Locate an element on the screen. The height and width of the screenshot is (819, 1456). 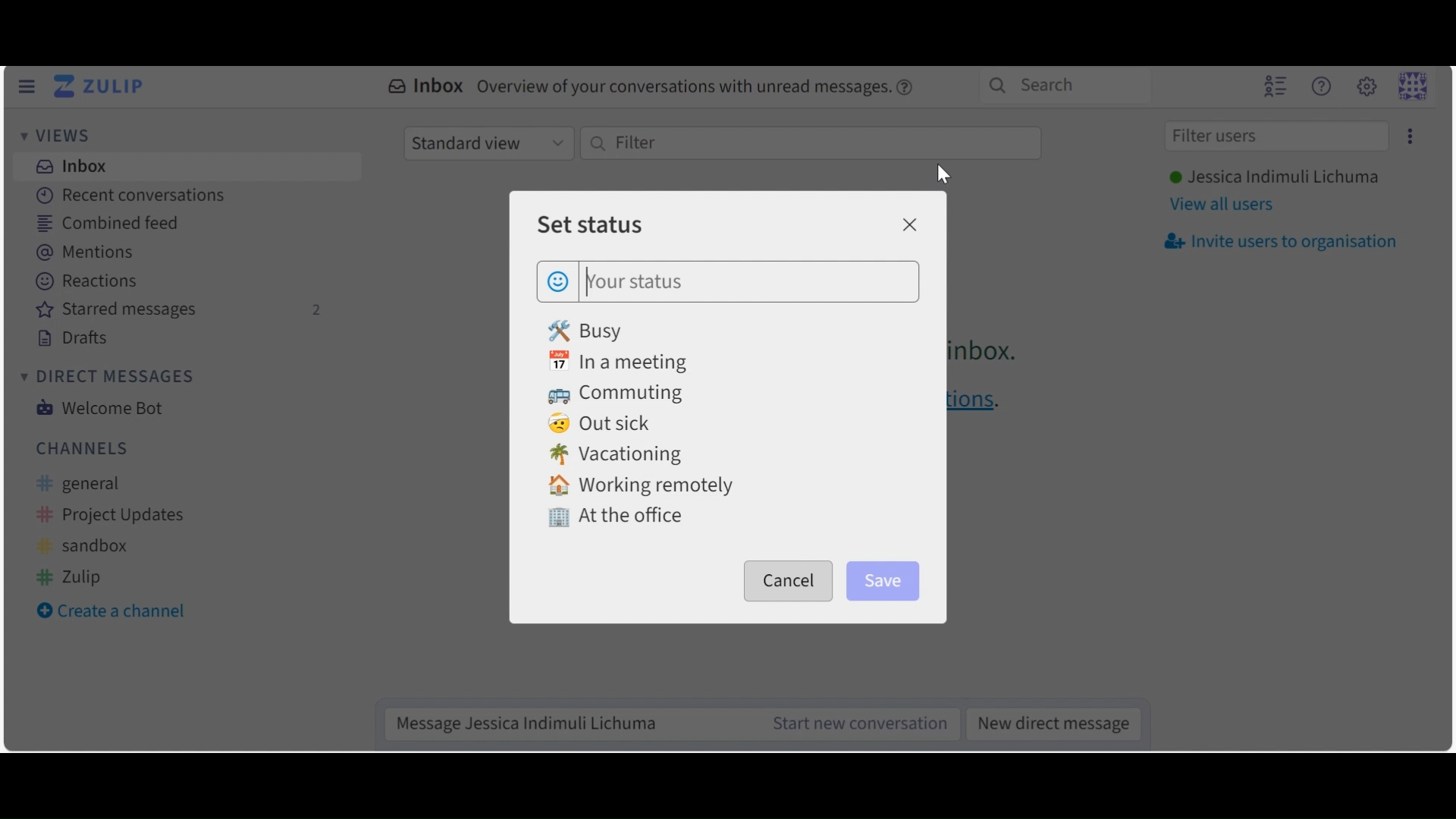
Inbox is located at coordinates (69, 165).